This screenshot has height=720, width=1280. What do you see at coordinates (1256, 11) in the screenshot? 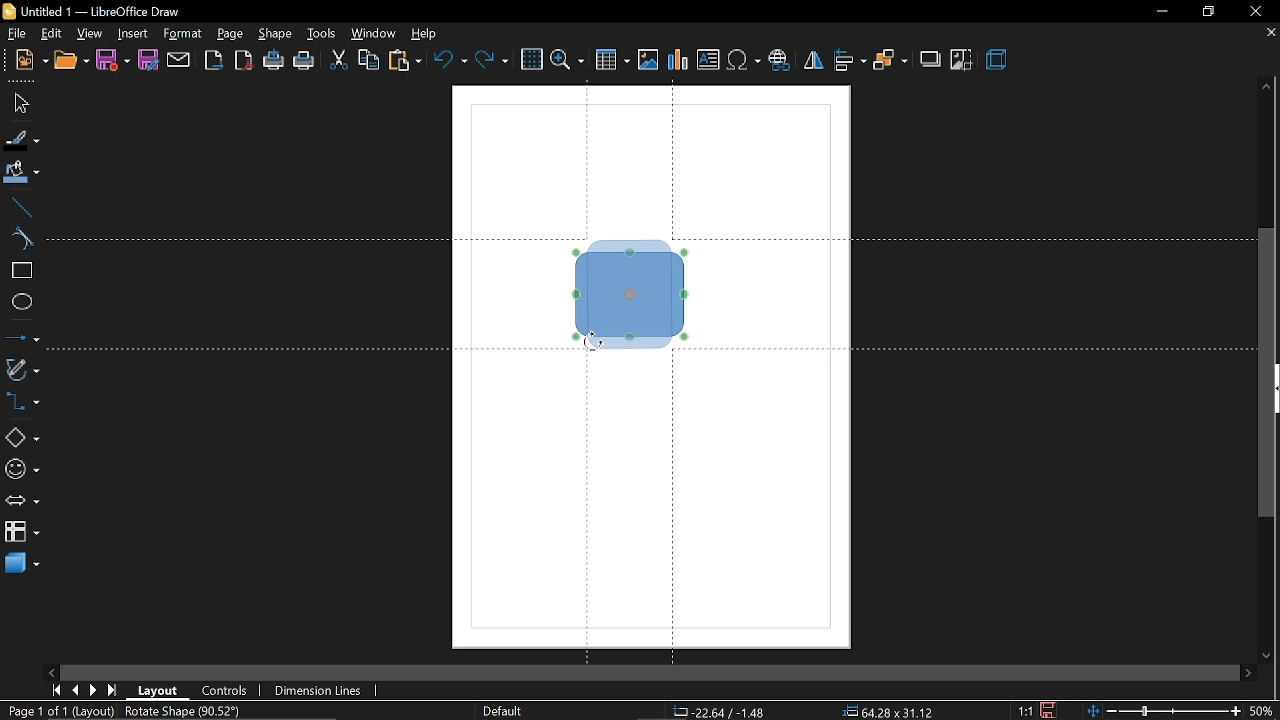
I see `close` at bounding box center [1256, 11].